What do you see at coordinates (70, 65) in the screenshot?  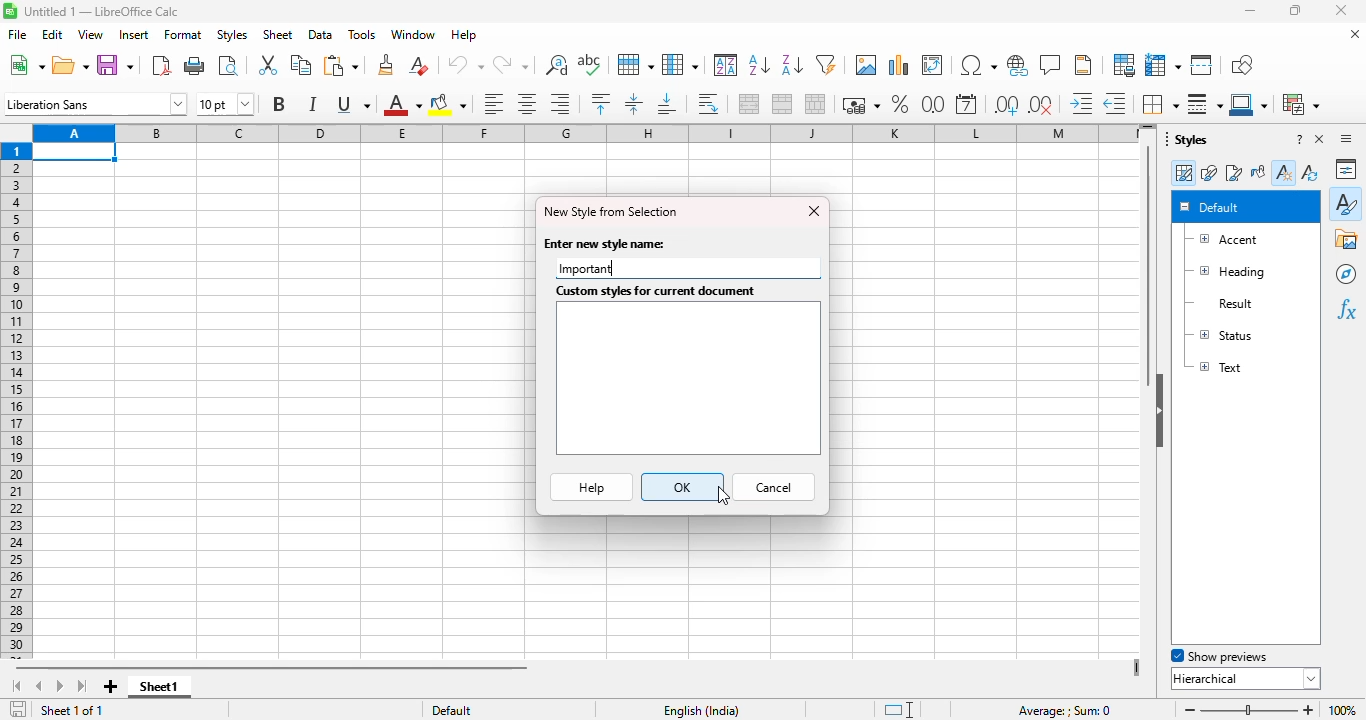 I see `open` at bounding box center [70, 65].